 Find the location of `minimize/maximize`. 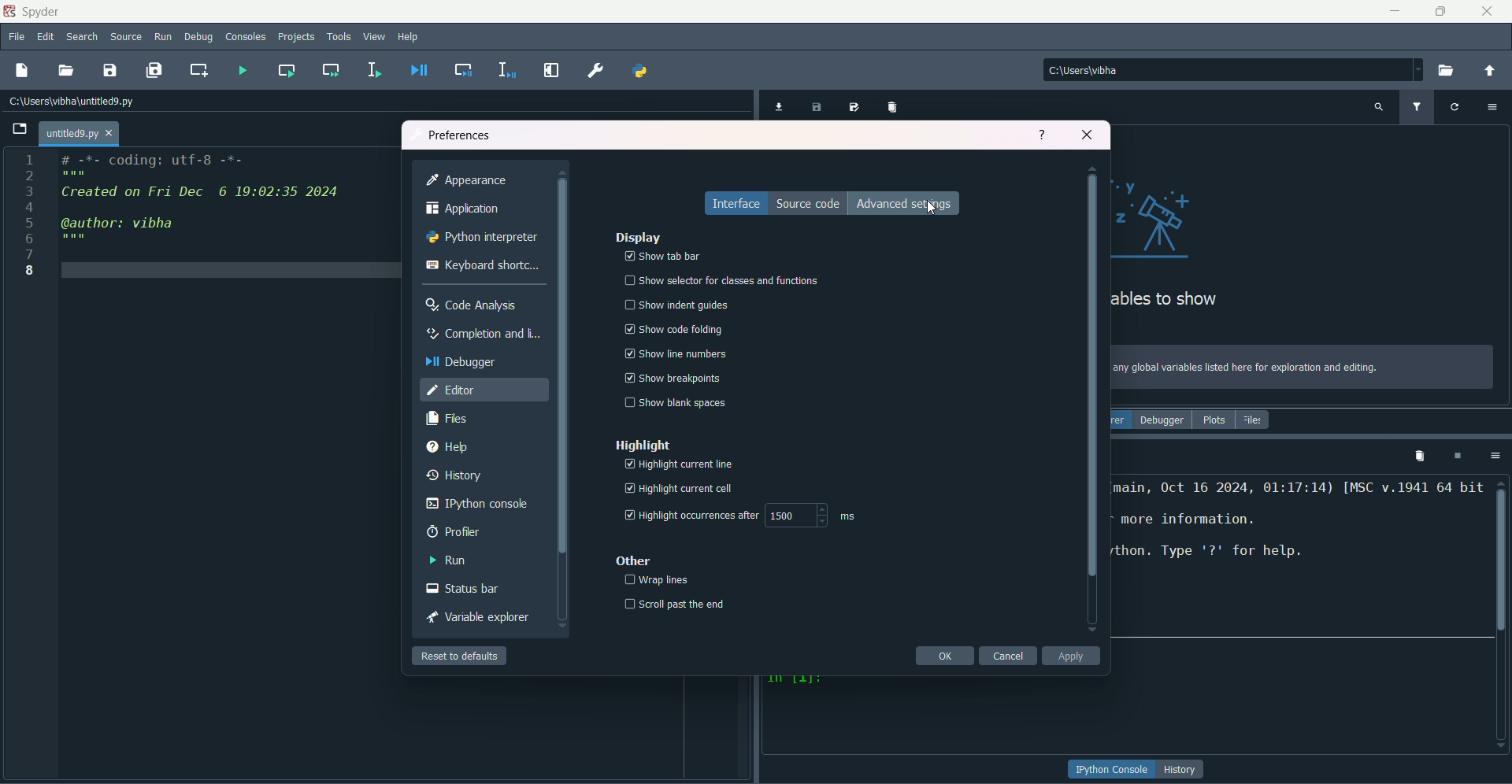

minimize/maximize is located at coordinates (1440, 11).